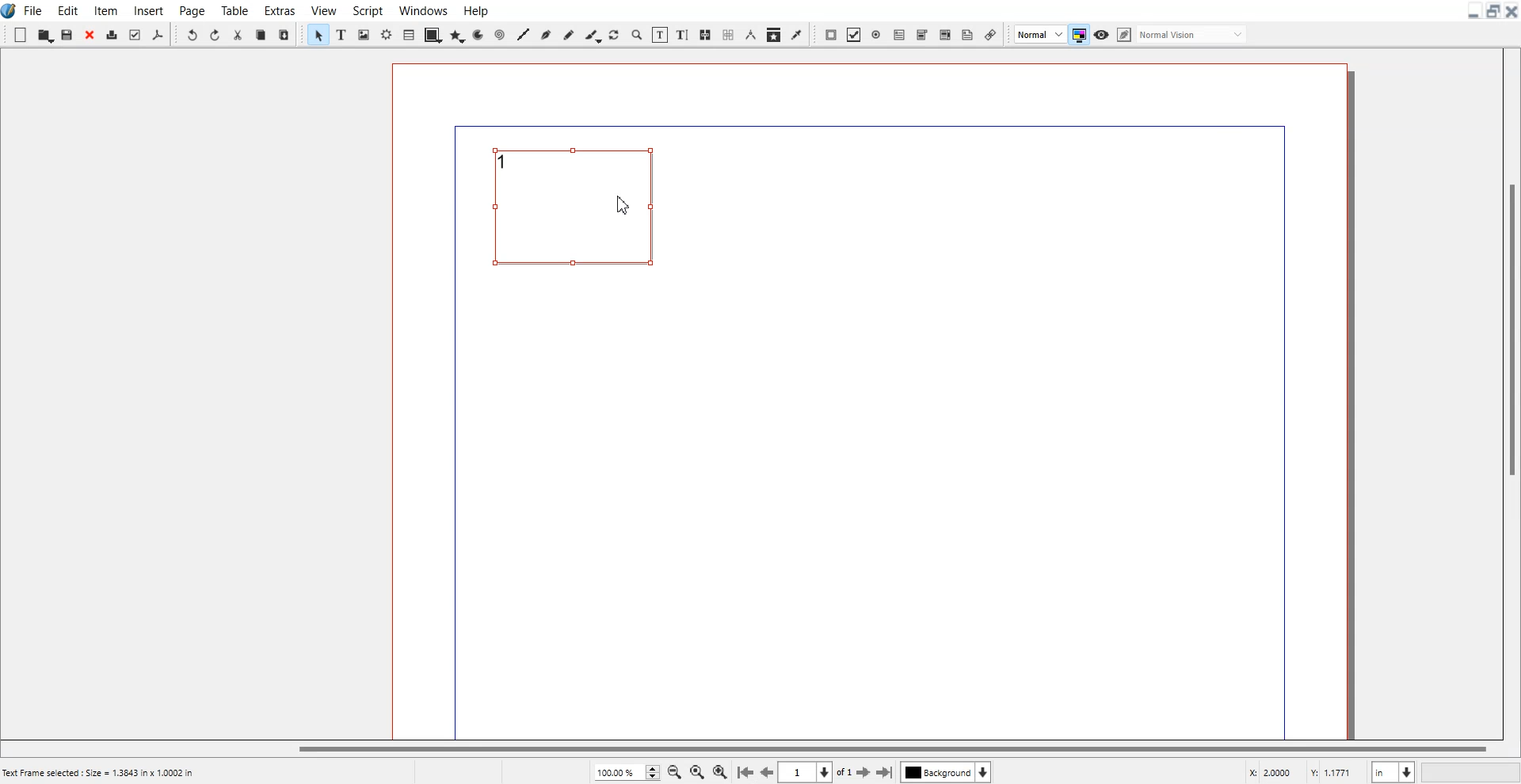 This screenshot has height=784, width=1521. What do you see at coordinates (748, 750) in the screenshot?
I see `Horizontal Scroll bar` at bounding box center [748, 750].